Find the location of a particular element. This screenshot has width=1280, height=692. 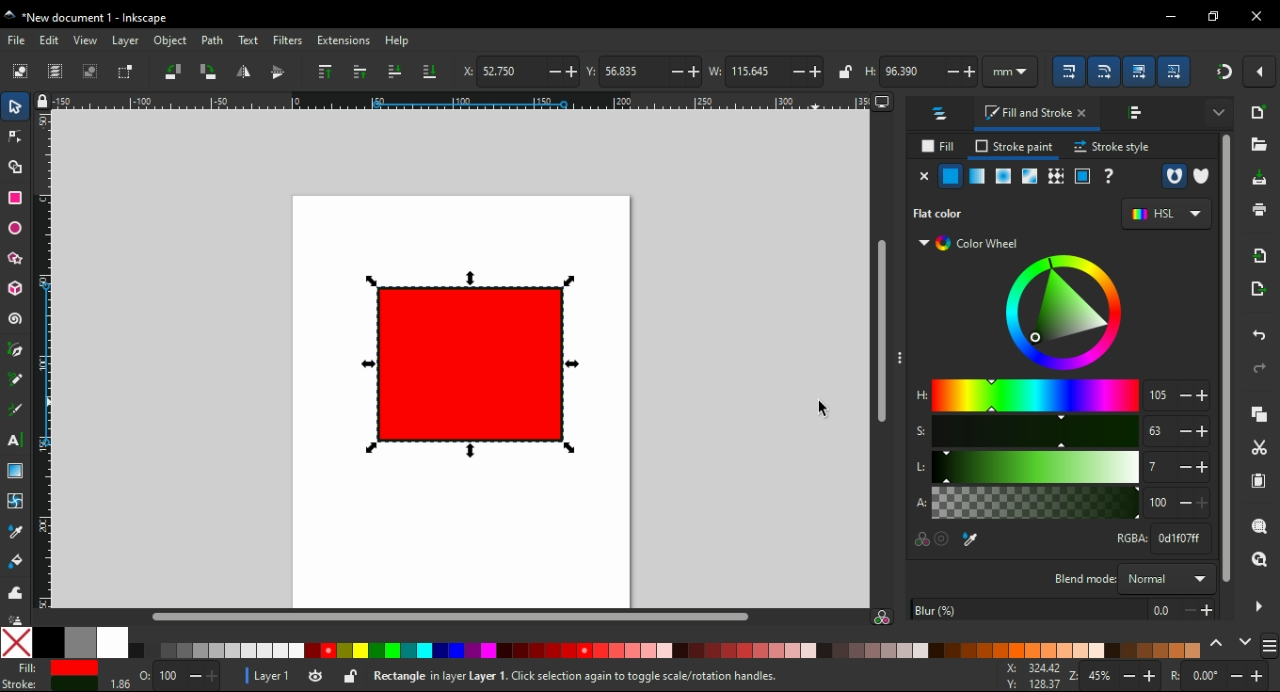

text is located at coordinates (249, 40).